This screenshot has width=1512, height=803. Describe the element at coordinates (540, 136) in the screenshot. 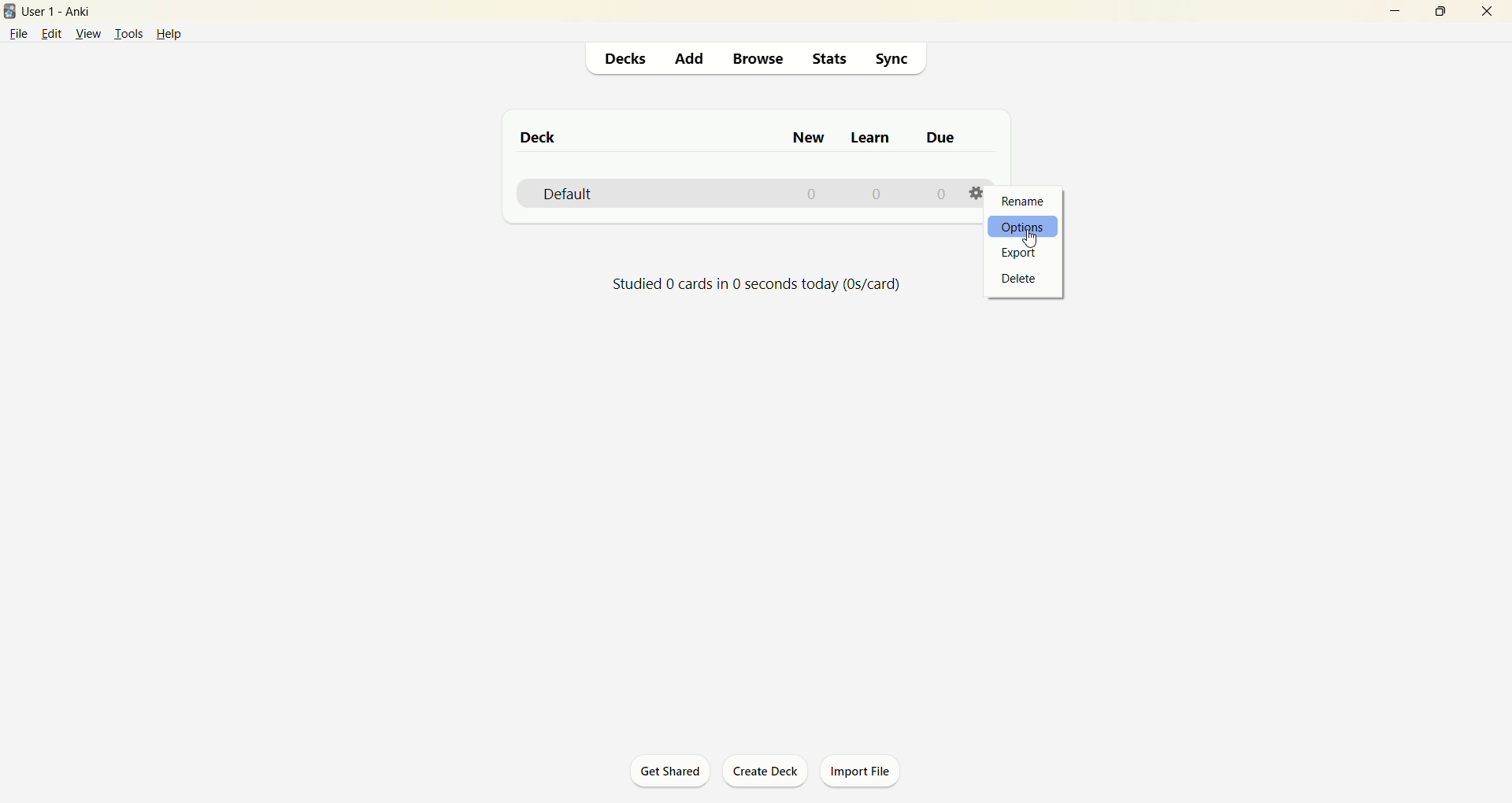

I see `deck` at that location.